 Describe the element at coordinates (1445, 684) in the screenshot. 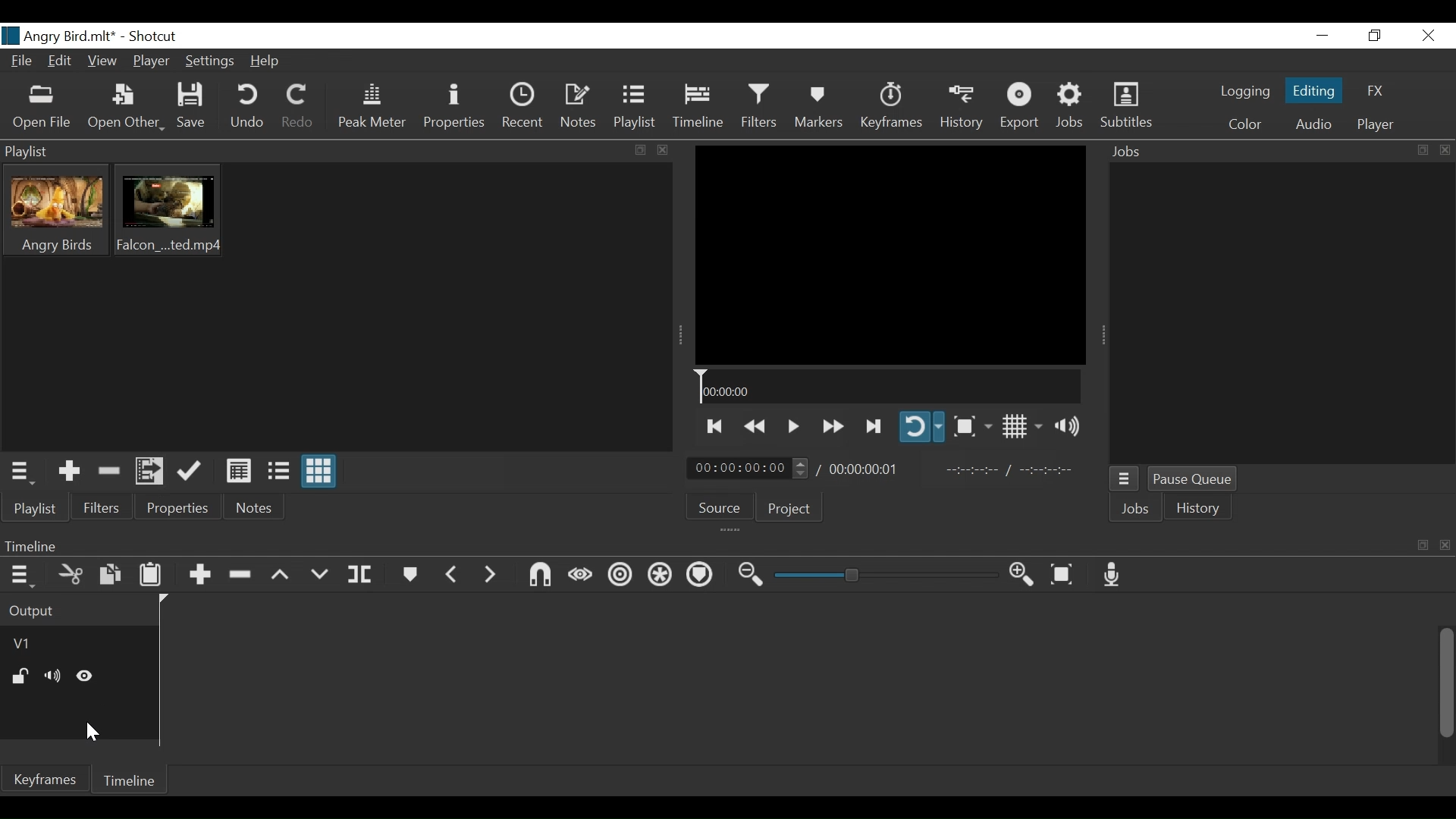

I see `Vertical Scroll bar` at that location.